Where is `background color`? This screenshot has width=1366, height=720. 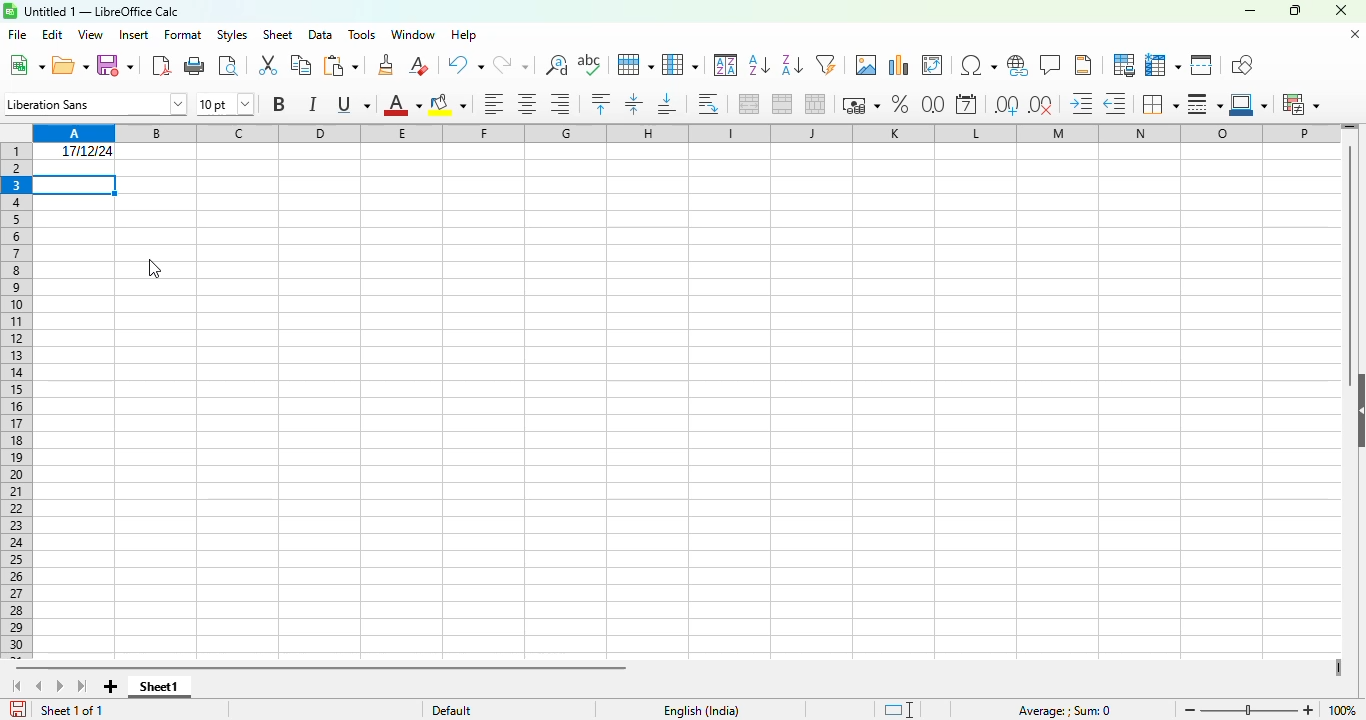 background color is located at coordinates (447, 105).